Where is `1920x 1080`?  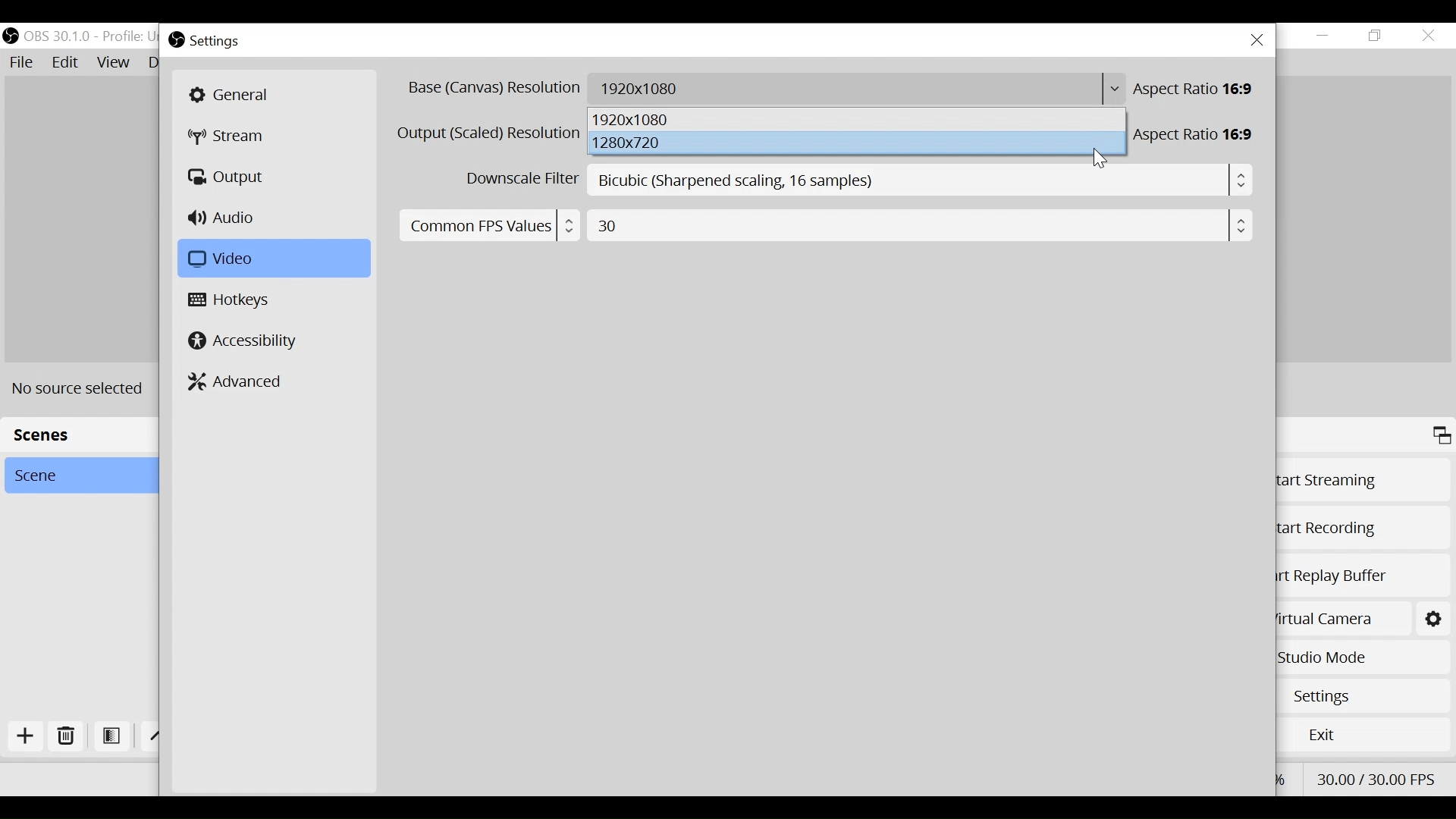 1920x 1080 is located at coordinates (857, 89).